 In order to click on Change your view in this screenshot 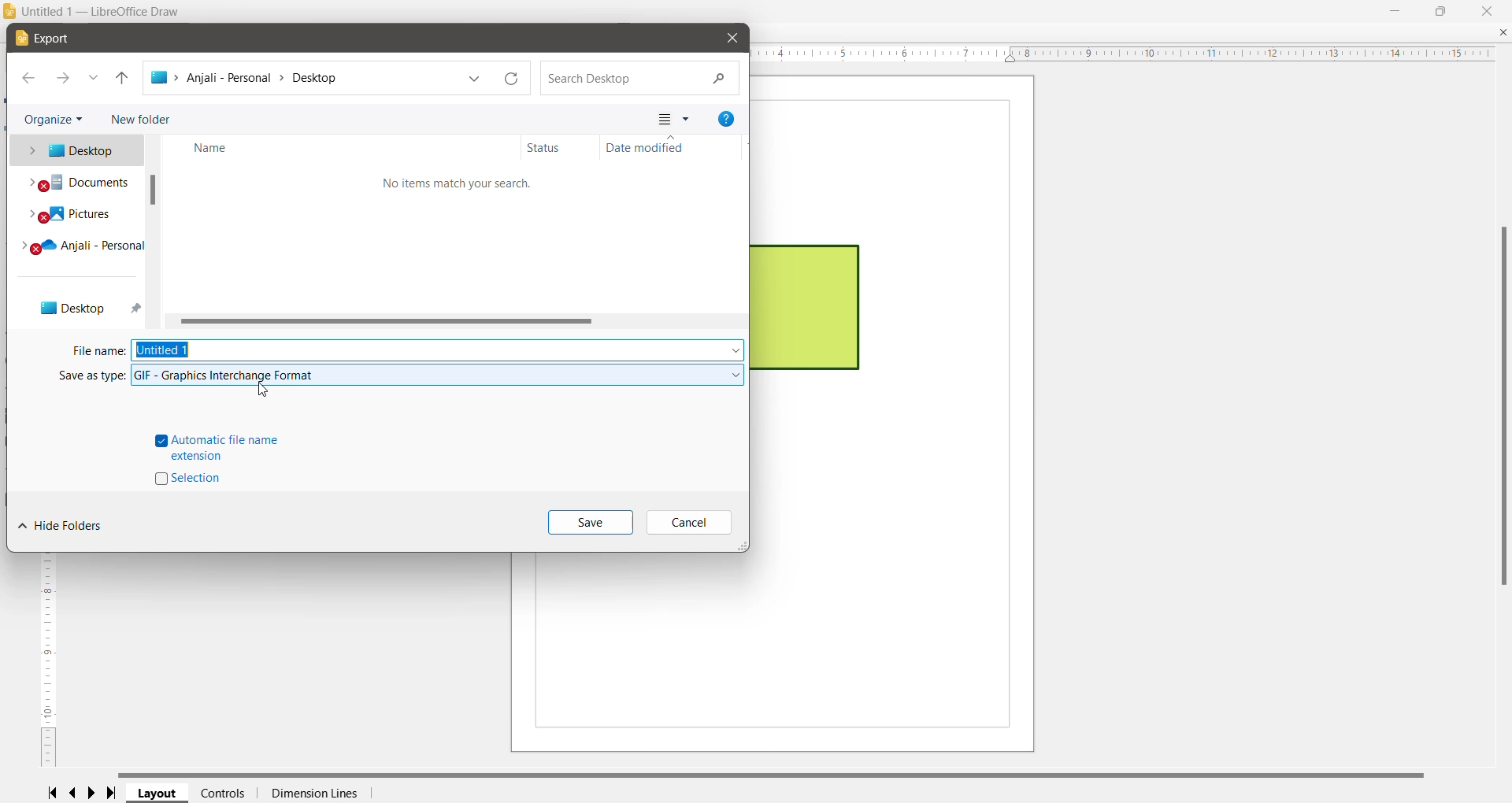, I will do `click(672, 120)`.